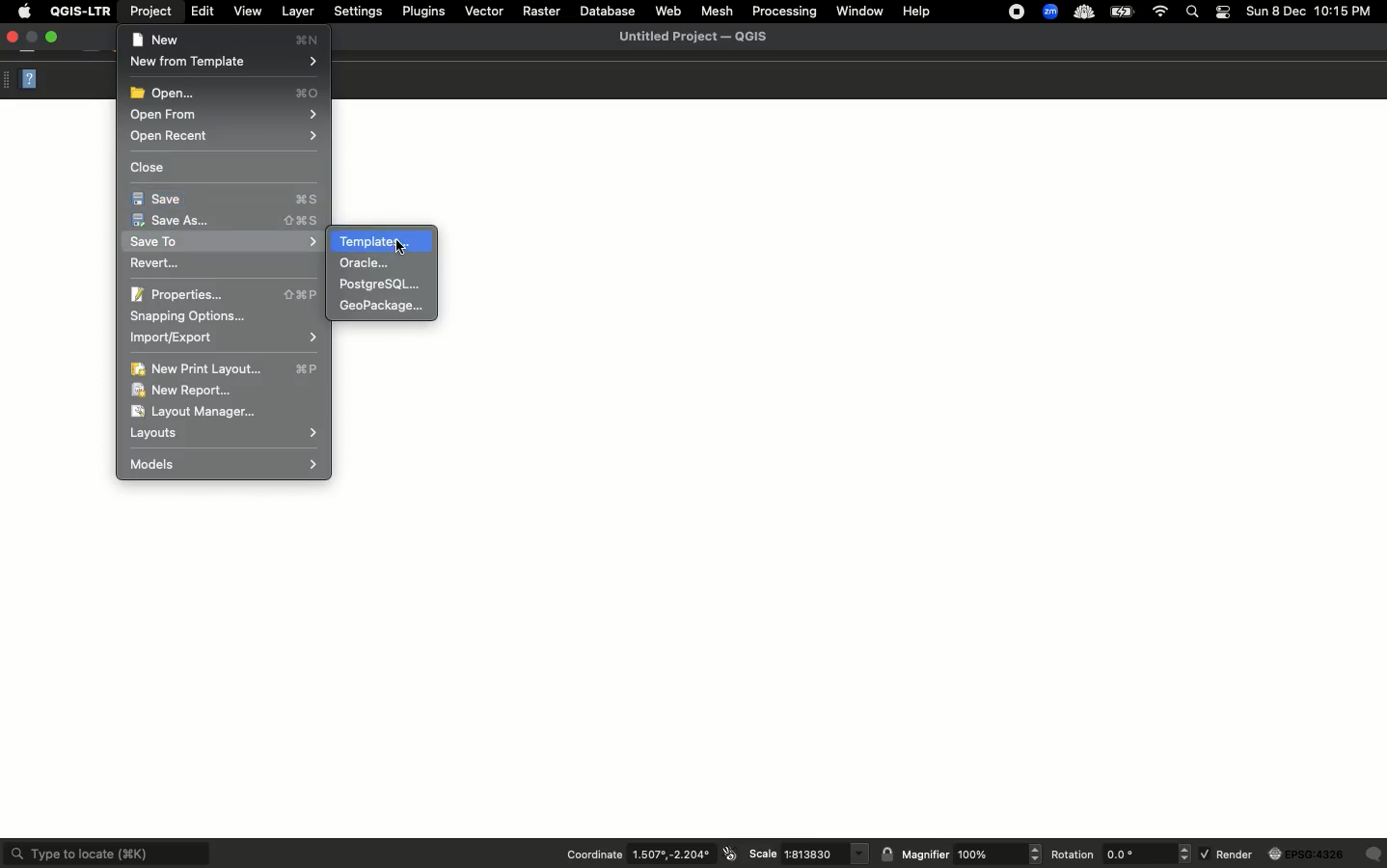  I want to click on New, so click(229, 38).